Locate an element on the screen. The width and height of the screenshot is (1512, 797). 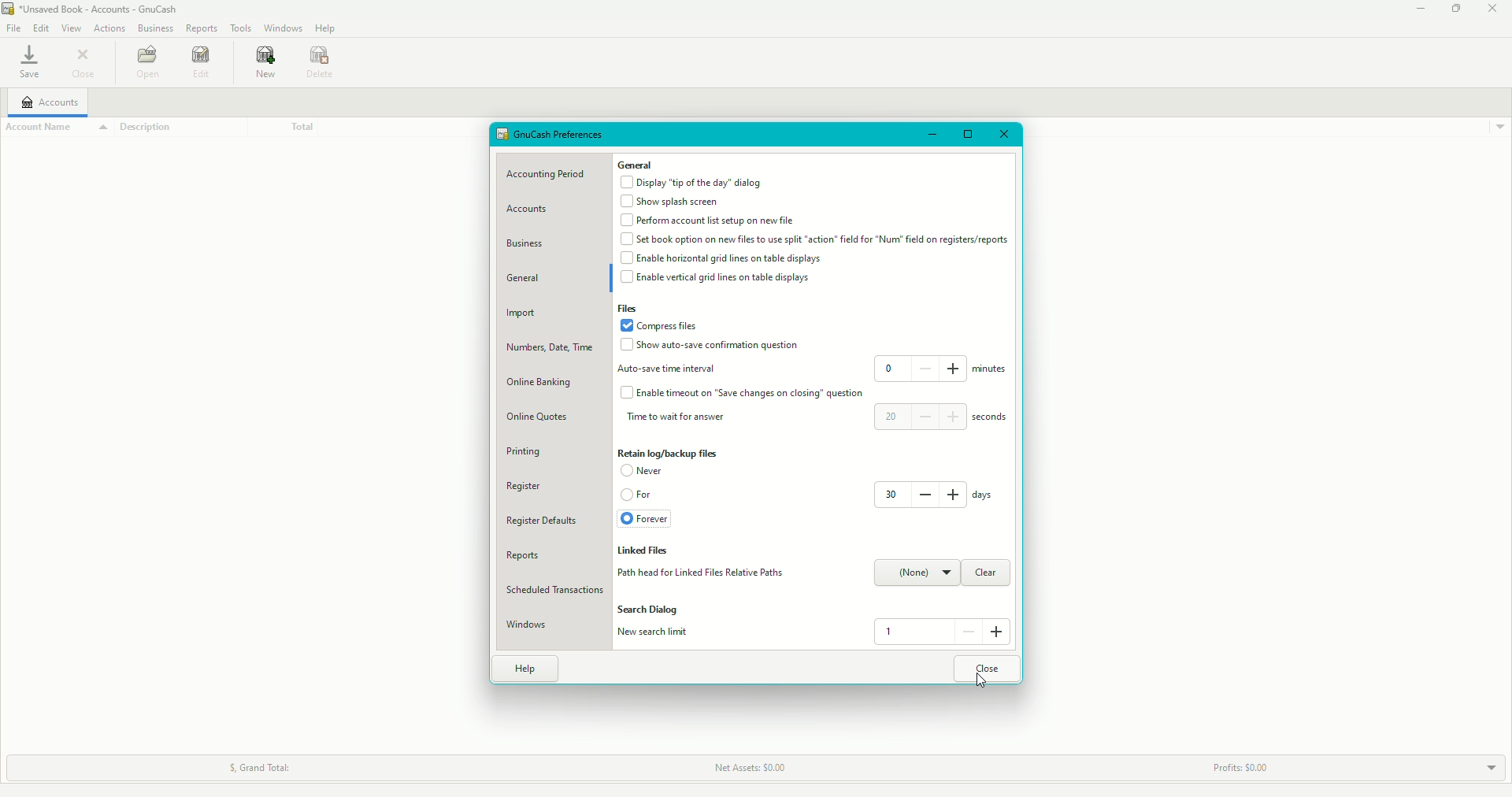
Reports is located at coordinates (520, 556).